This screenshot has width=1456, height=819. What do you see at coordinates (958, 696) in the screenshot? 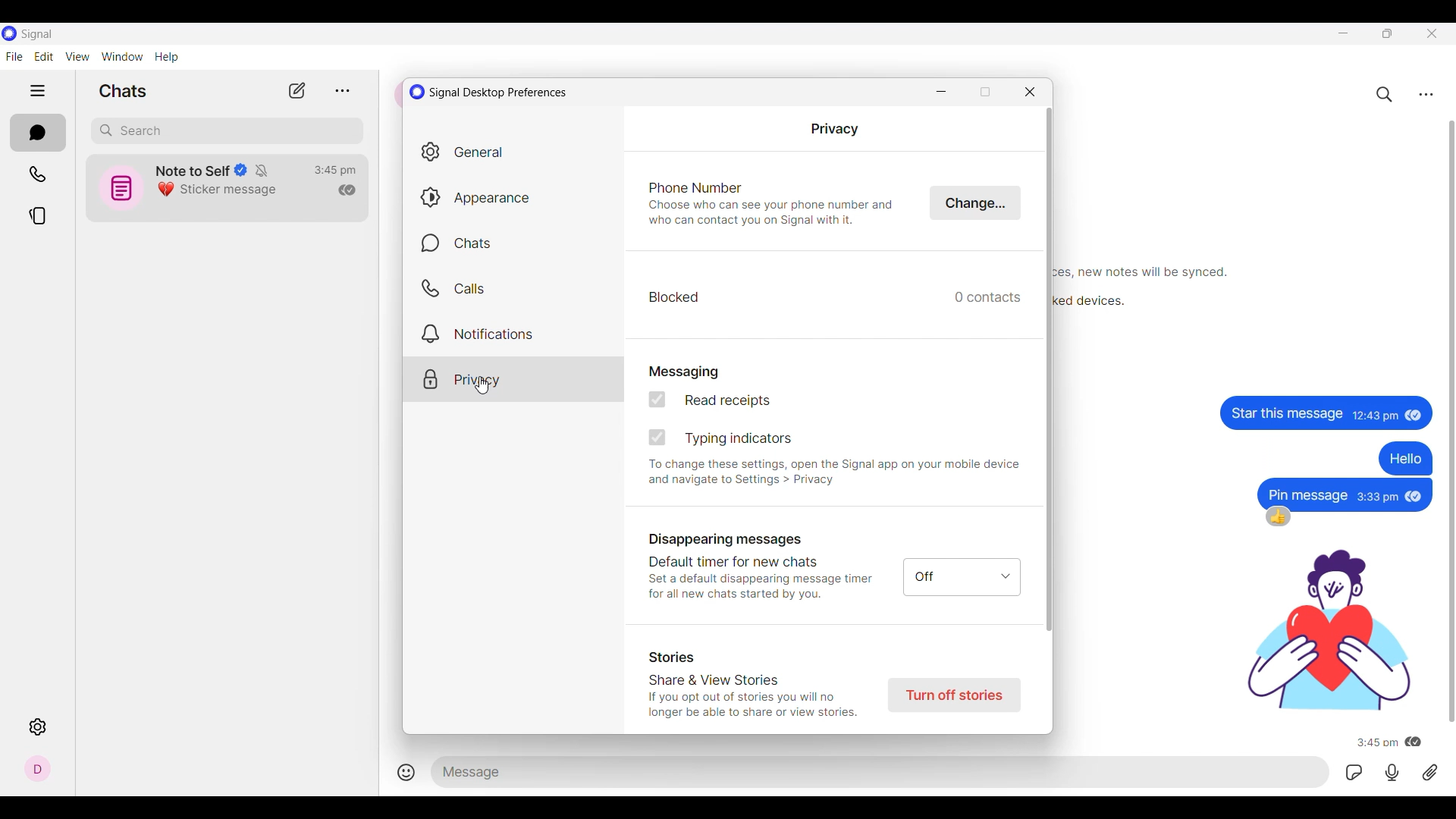
I see `Turn off stories` at bounding box center [958, 696].